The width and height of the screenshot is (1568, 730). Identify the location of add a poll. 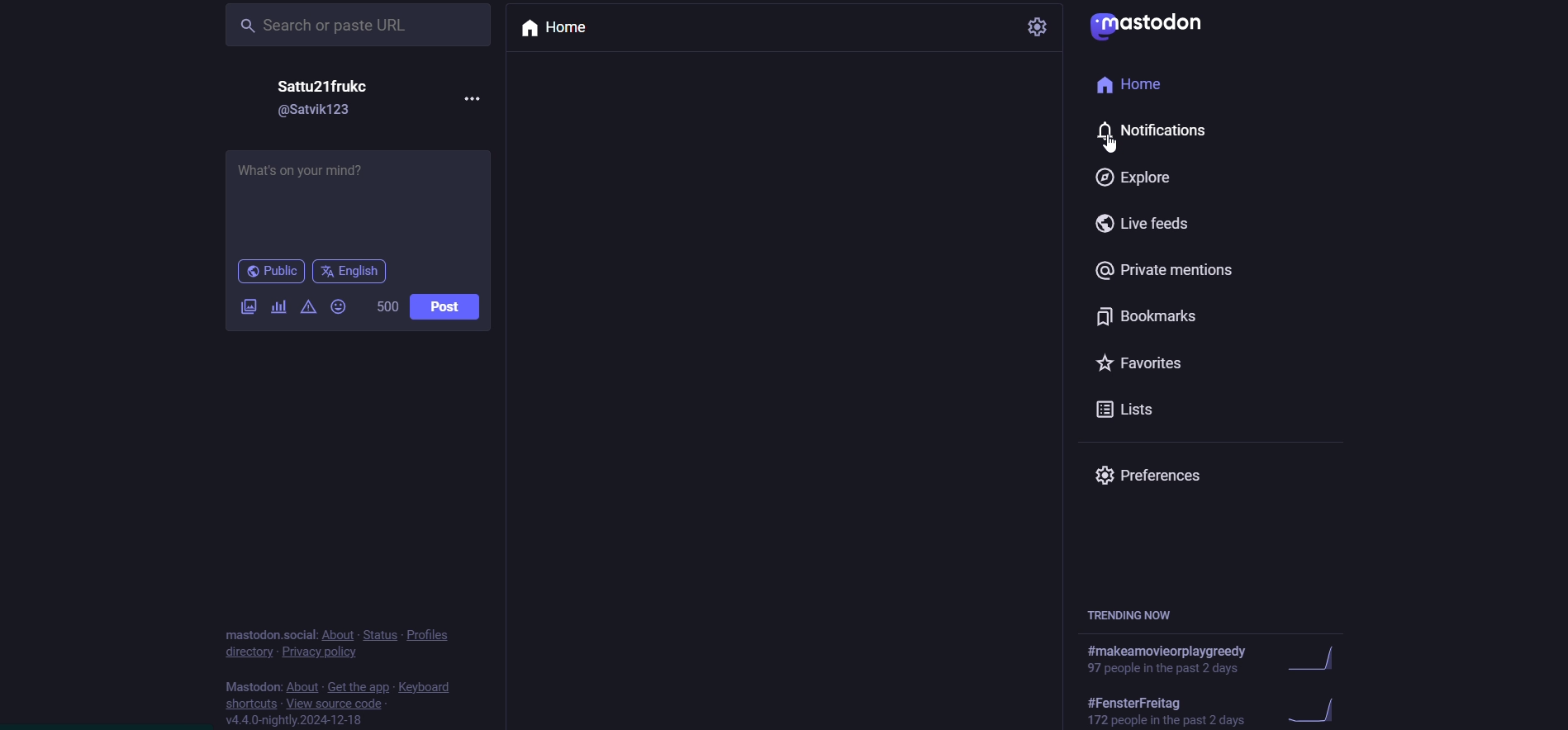
(281, 308).